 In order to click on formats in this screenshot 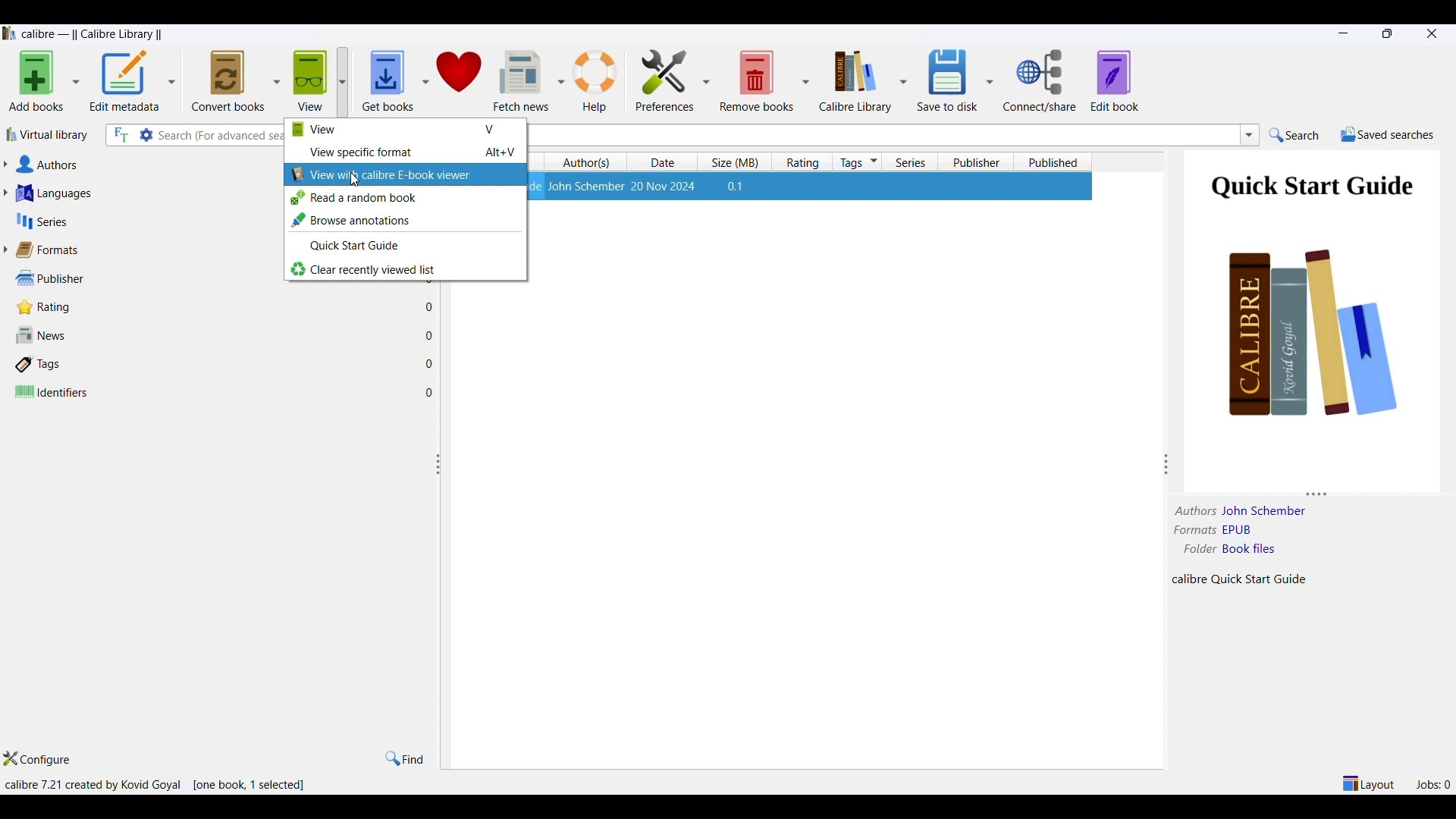, I will do `click(139, 249)`.